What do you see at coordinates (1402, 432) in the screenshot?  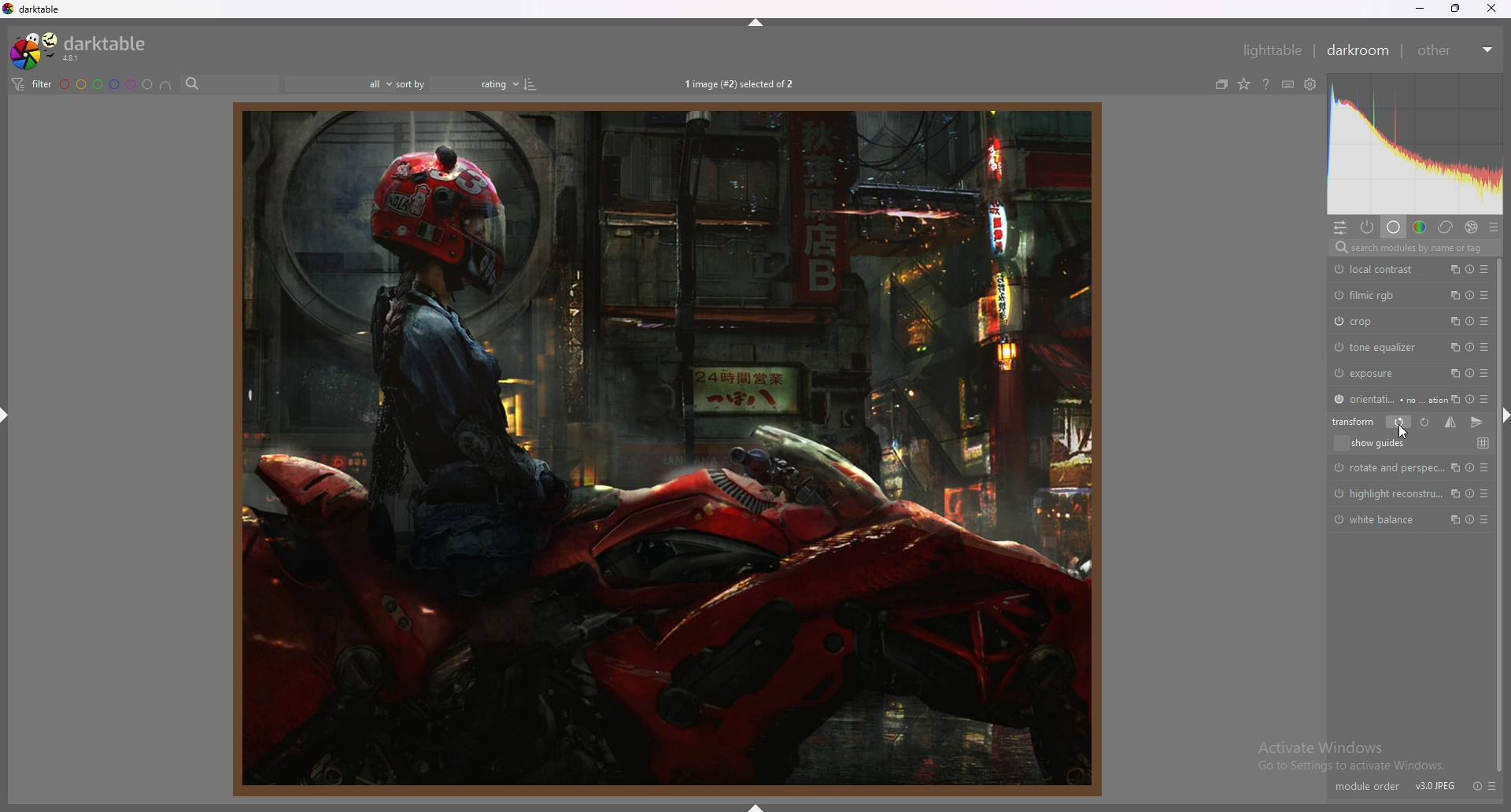 I see `cursor` at bounding box center [1402, 432].